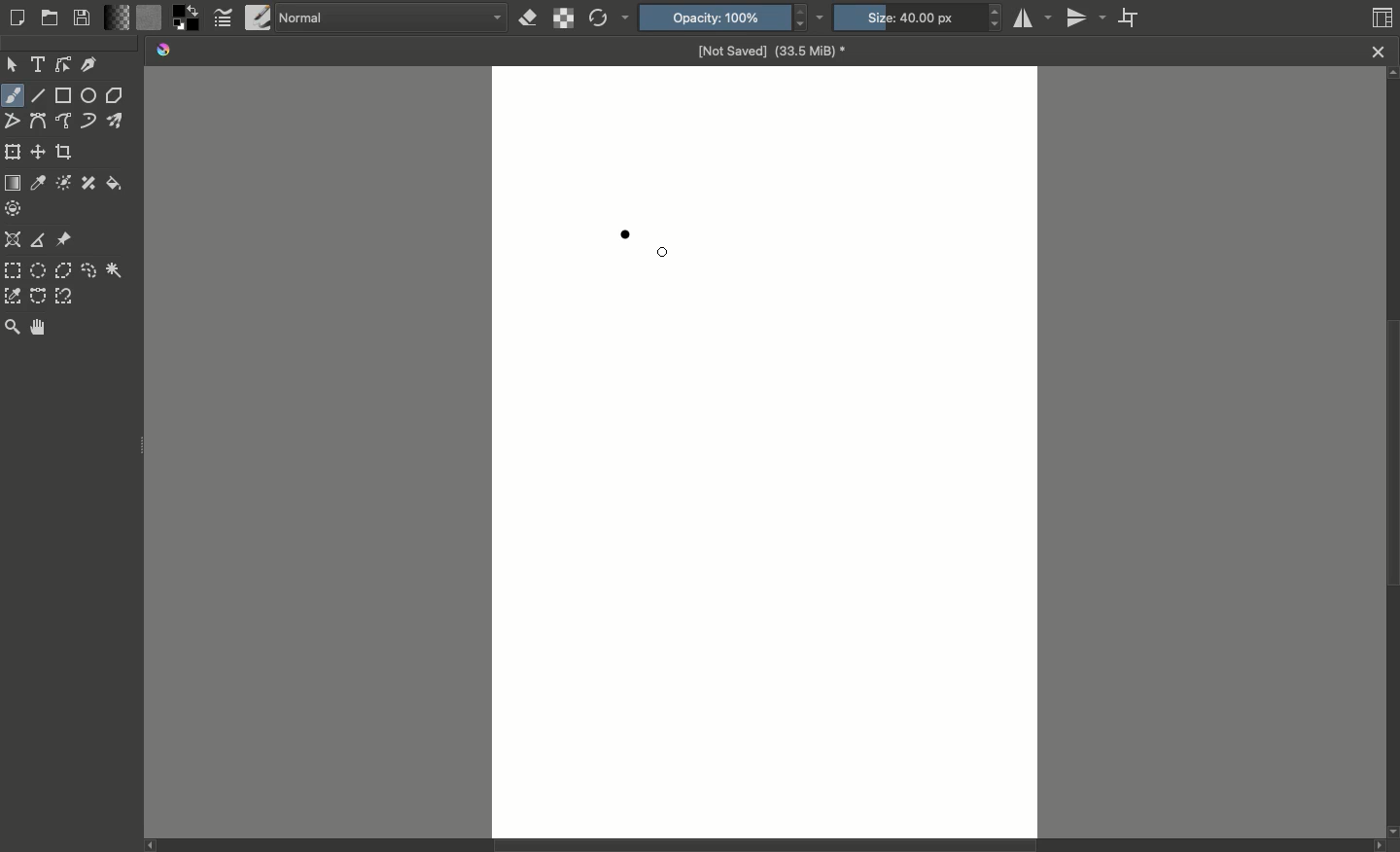 Image resolution: width=1400 pixels, height=852 pixels. What do you see at coordinates (16, 206) in the screenshot?
I see `Enclose and fill tool` at bounding box center [16, 206].